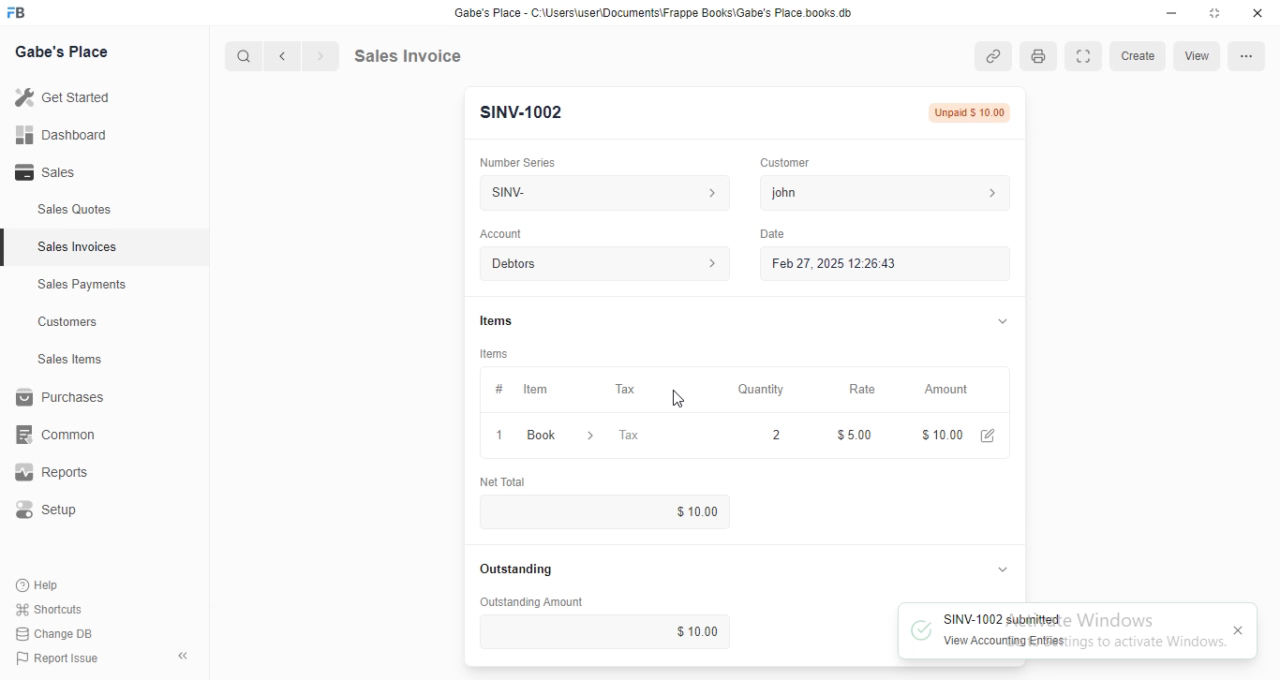  I want to click on Create, so click(1137, 56).